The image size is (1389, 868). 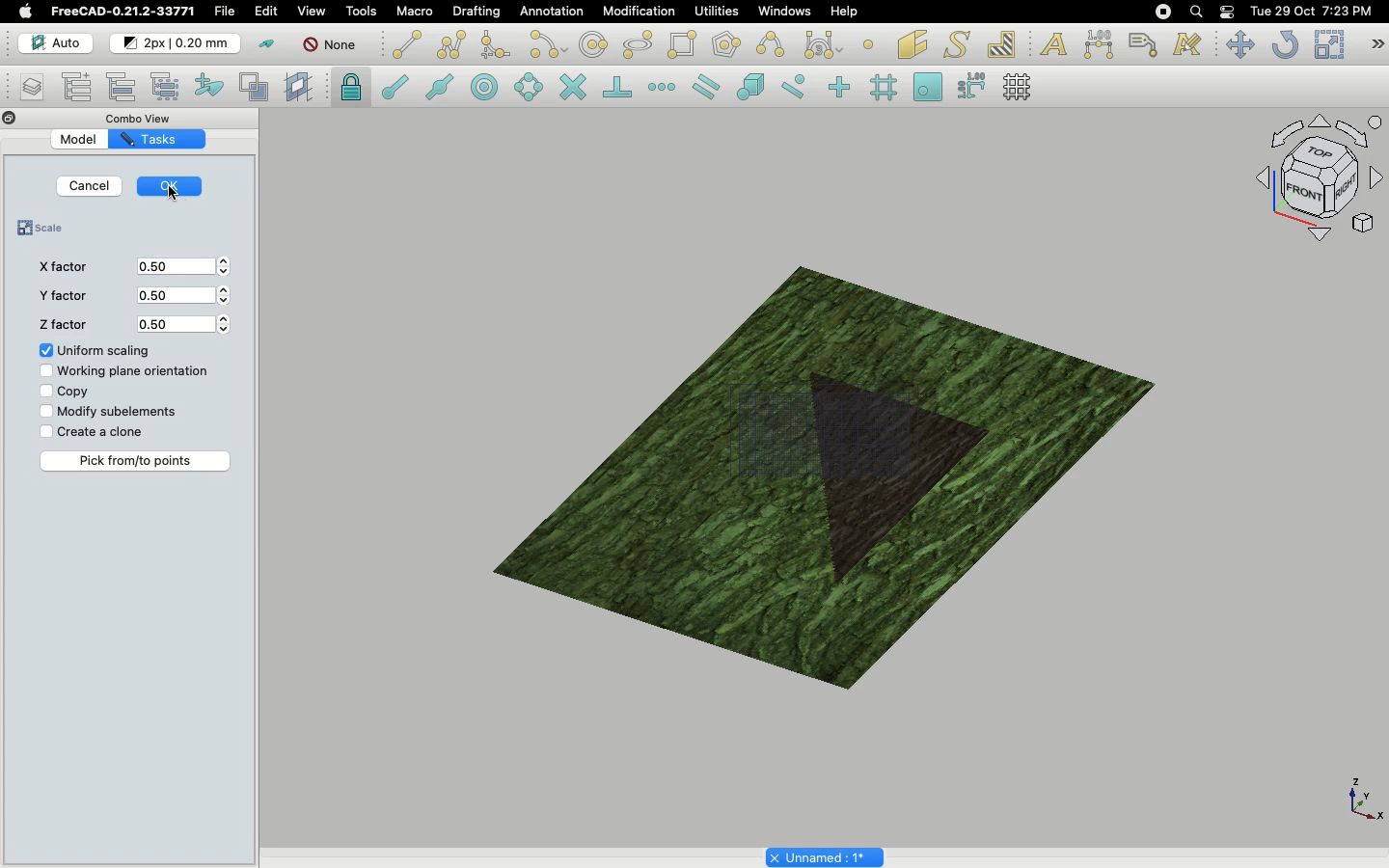 I want to click on Dimension, so click(x=1097, y=43).